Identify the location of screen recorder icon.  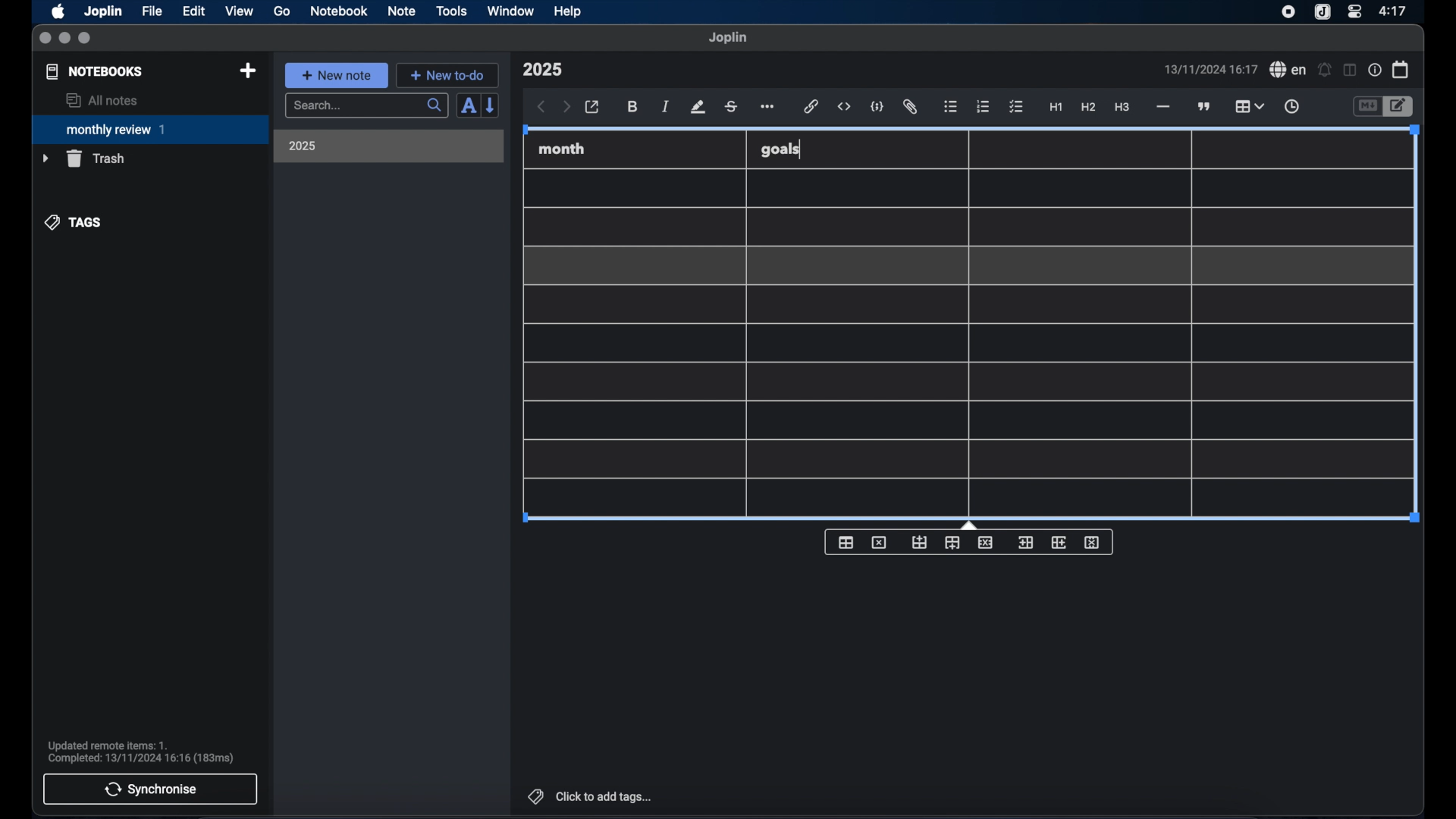
(1288, 12).